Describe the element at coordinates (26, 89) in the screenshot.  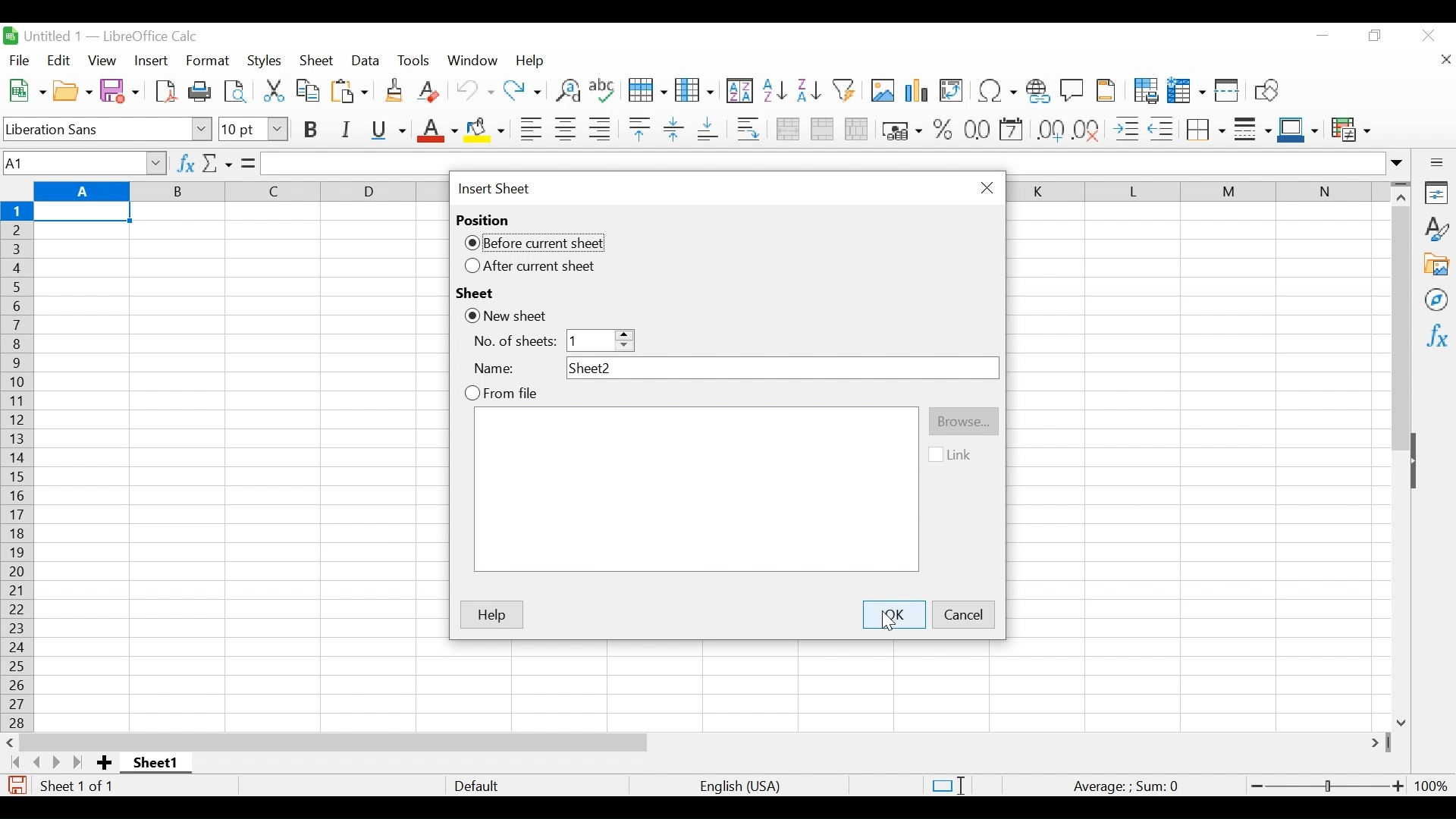
I see `New` at that location.